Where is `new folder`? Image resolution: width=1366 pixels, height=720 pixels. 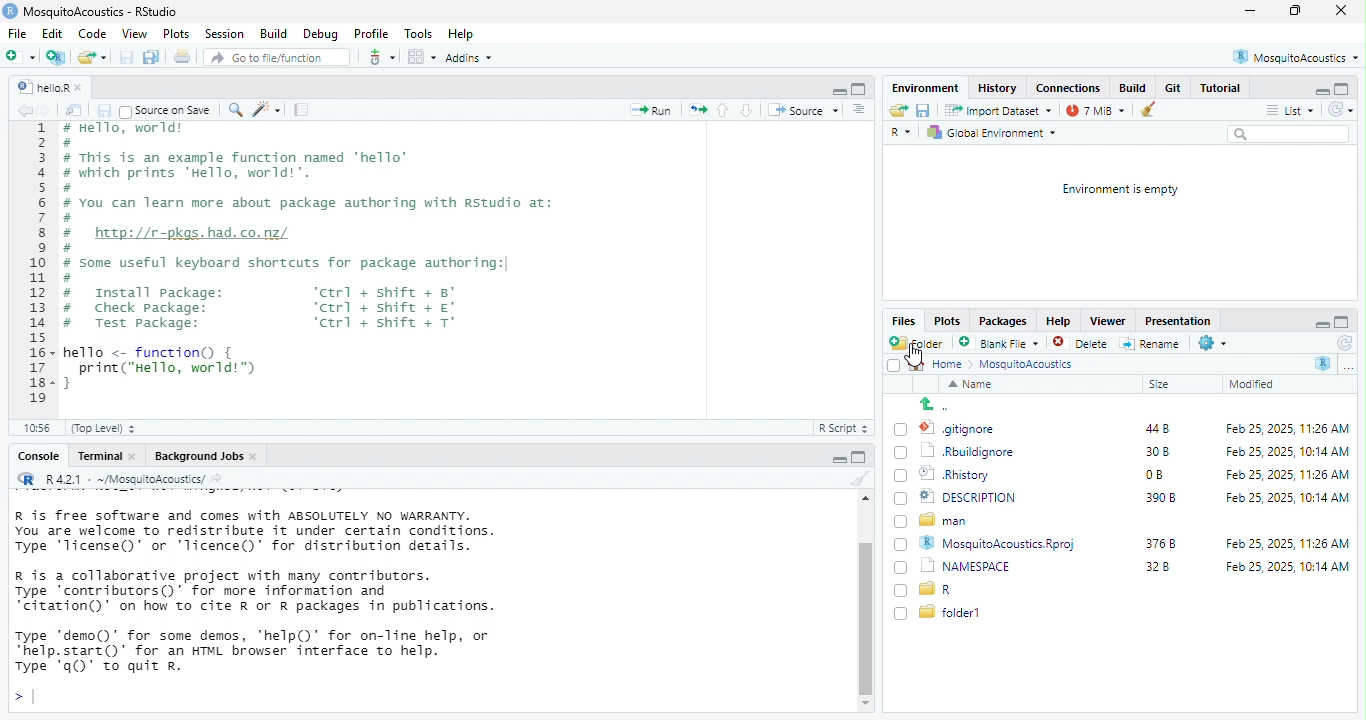 new folder is located at coordinates (920, 343).